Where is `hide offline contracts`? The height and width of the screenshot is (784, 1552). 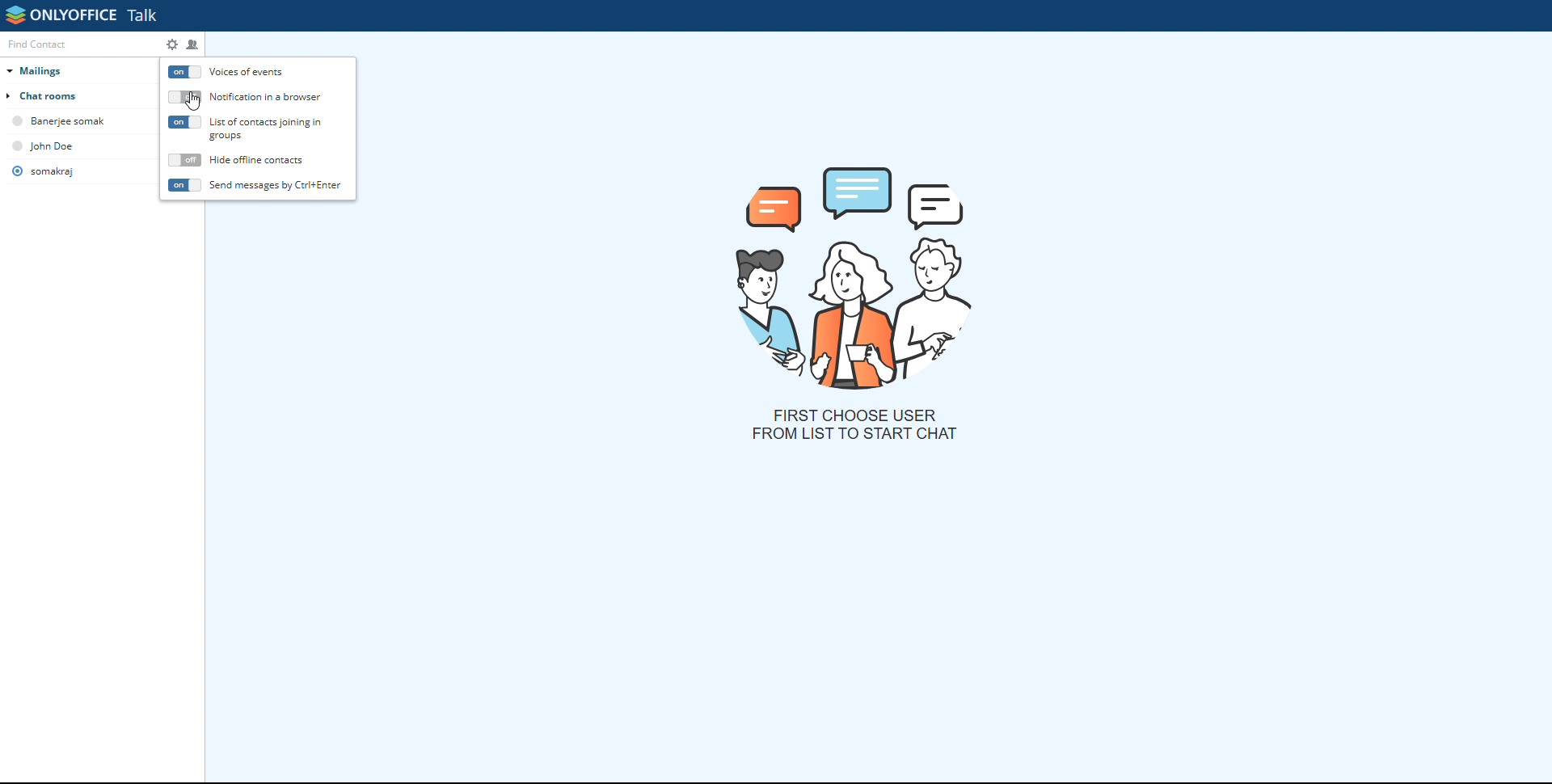 hide offline contracts is located at coordinates (184, 161).